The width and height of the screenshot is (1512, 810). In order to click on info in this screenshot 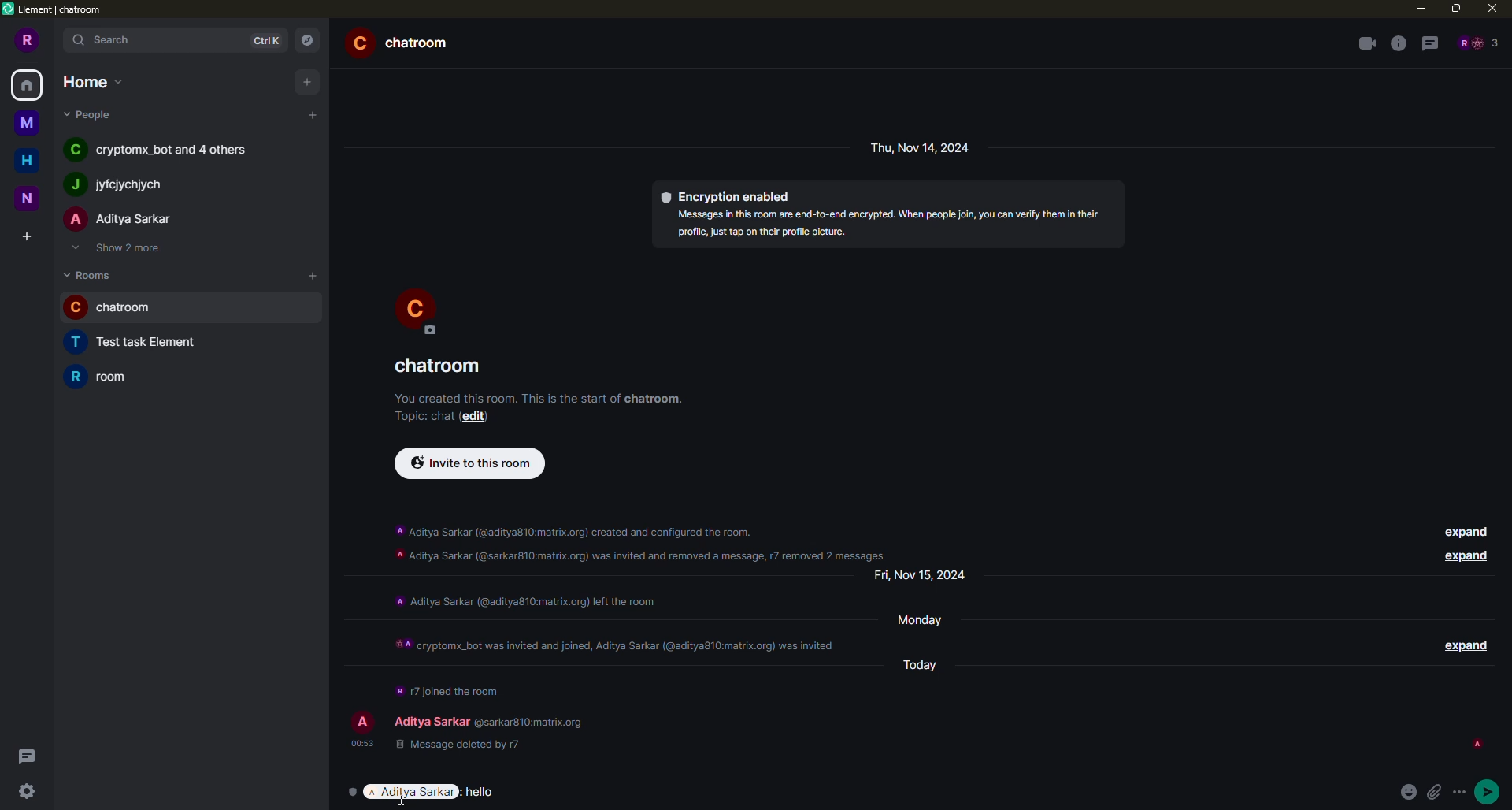, I will do `click(617, 639)`.